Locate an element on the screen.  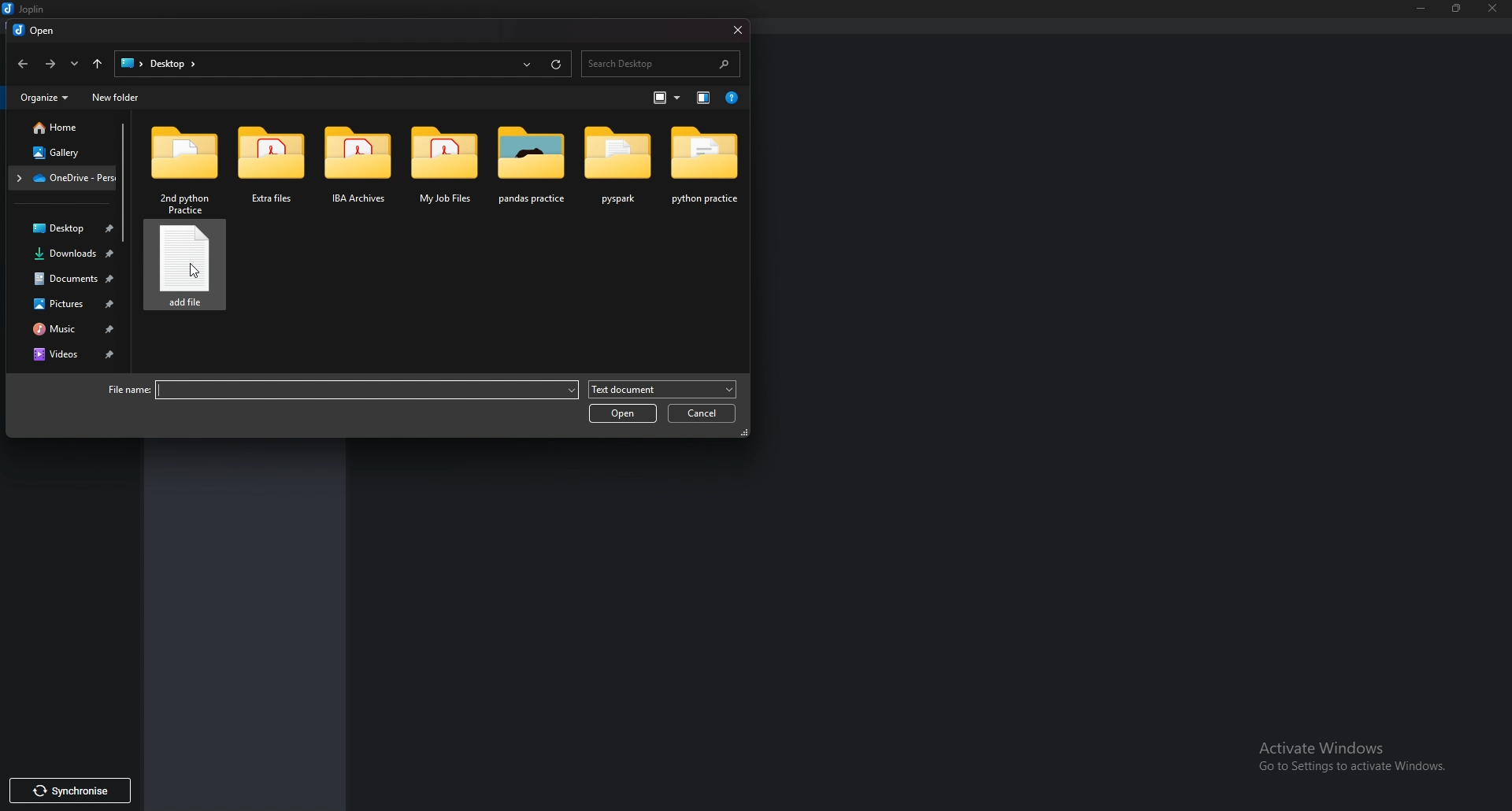
Pictures is located at coordinates (72, 304).